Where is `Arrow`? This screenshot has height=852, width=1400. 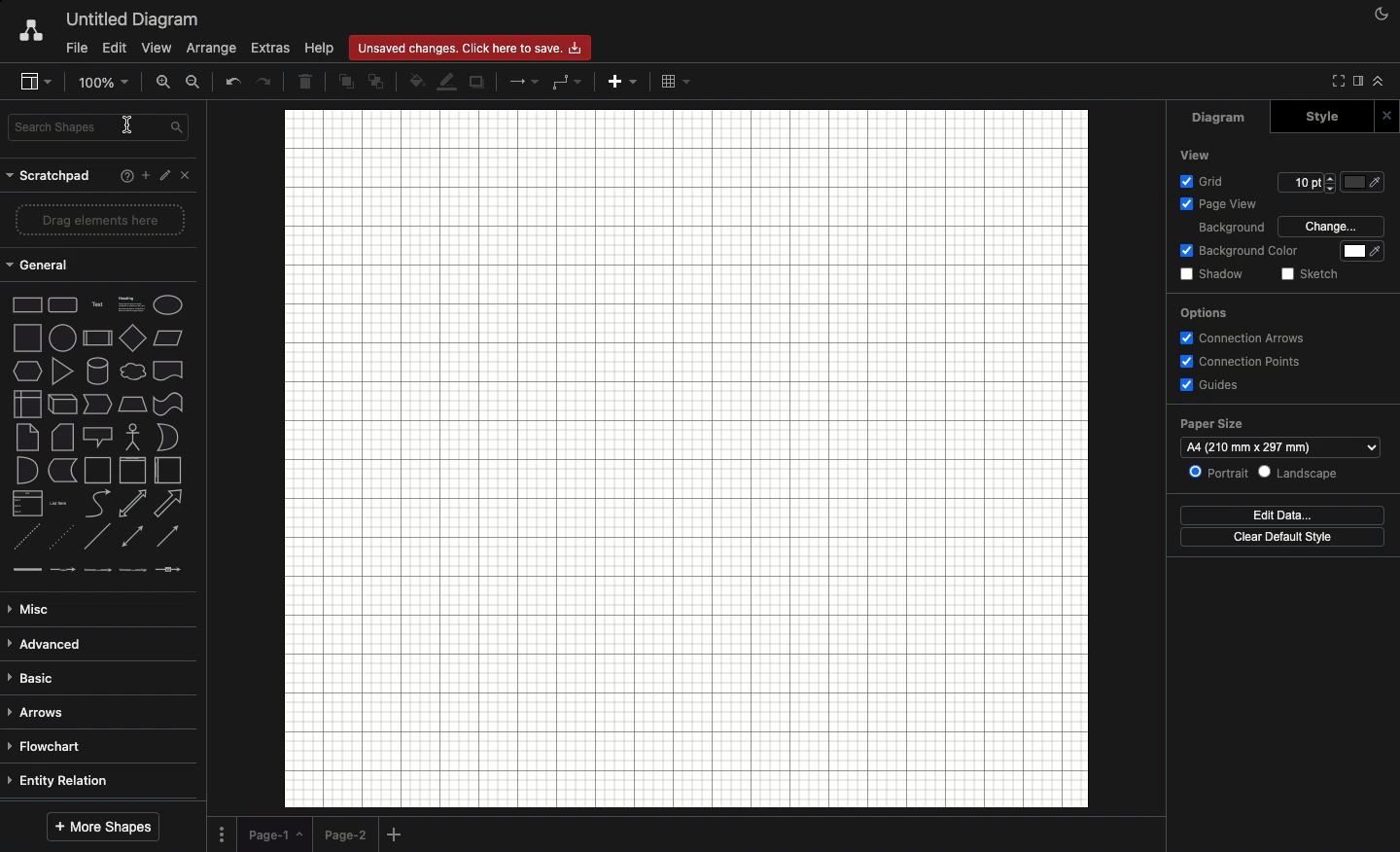
Arrow is located at coordinates (525, 81).